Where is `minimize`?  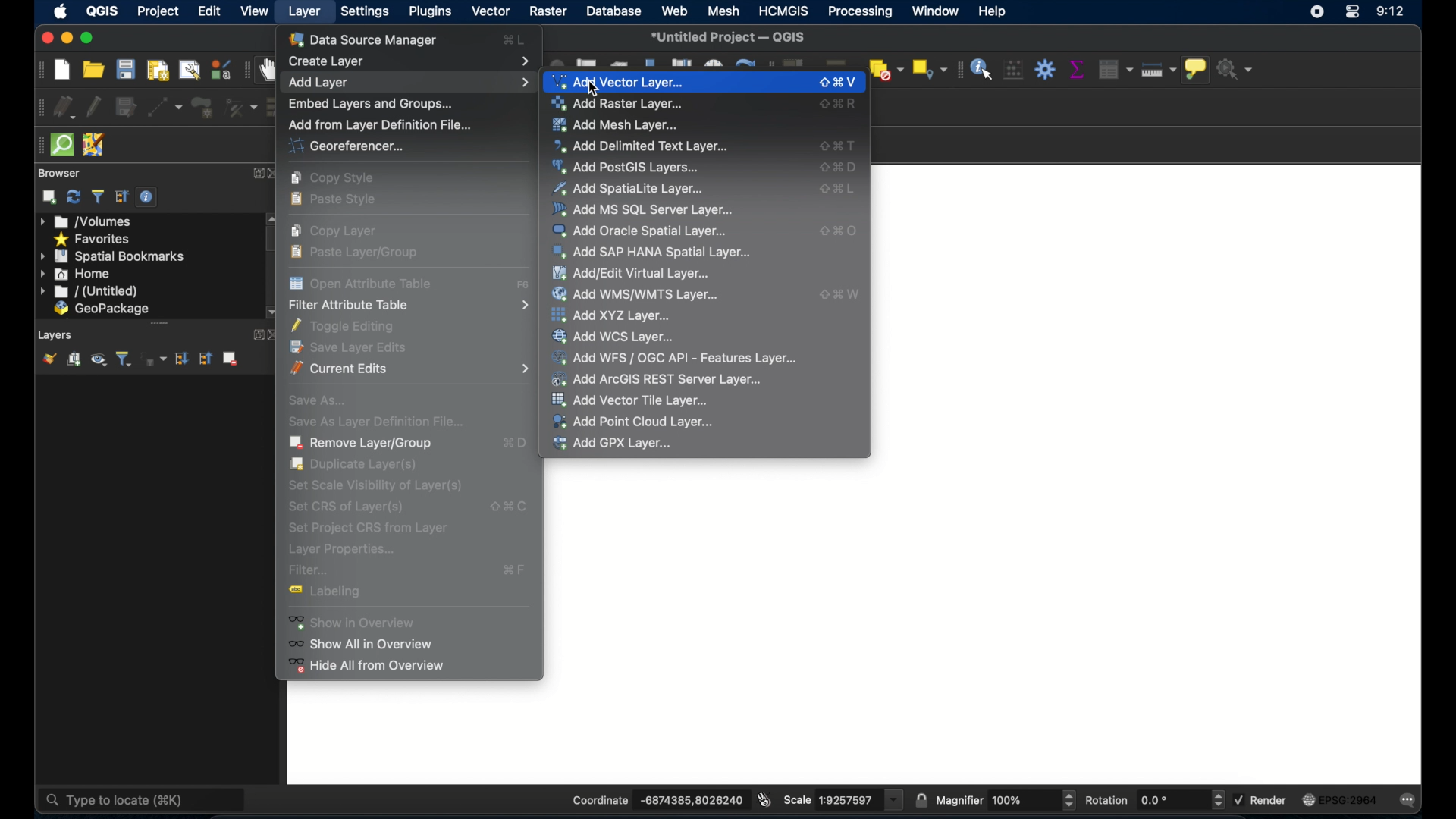 minimize is located at coordinates (67, 39).